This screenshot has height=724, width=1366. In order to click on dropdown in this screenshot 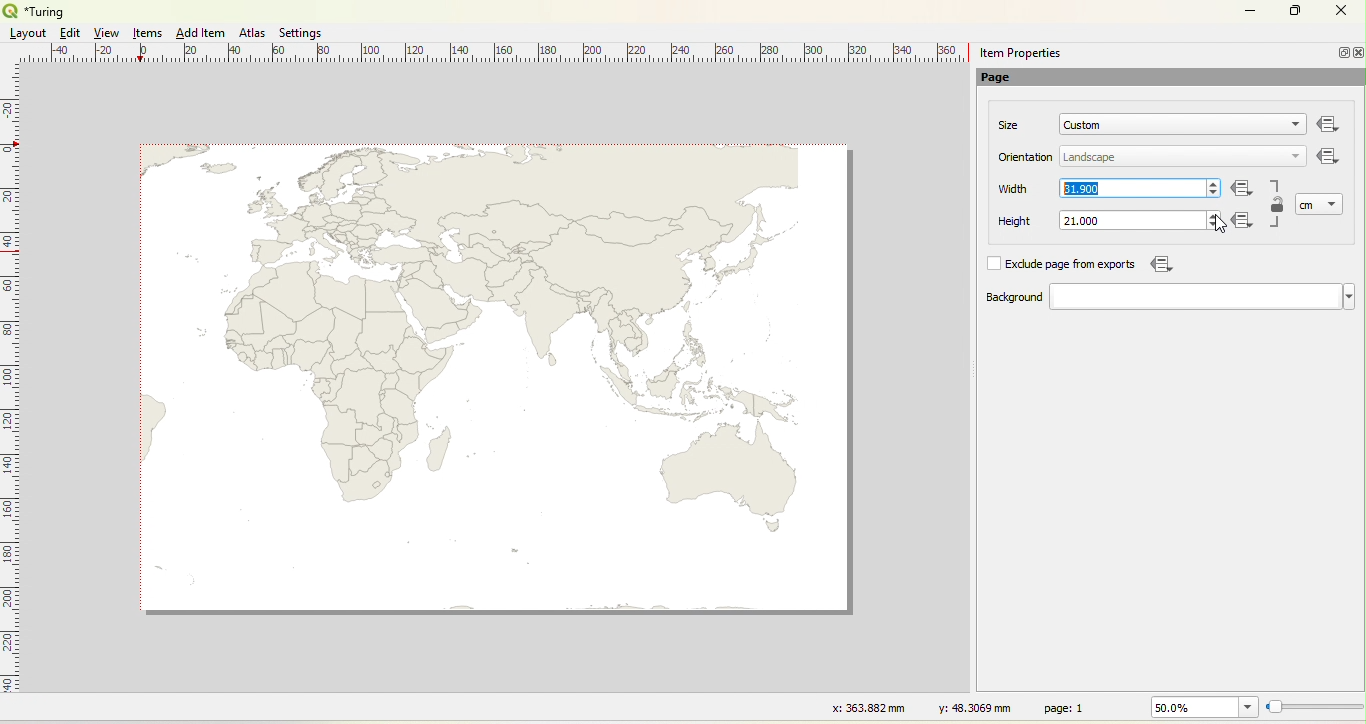, I will do `click(1202, 297)`.